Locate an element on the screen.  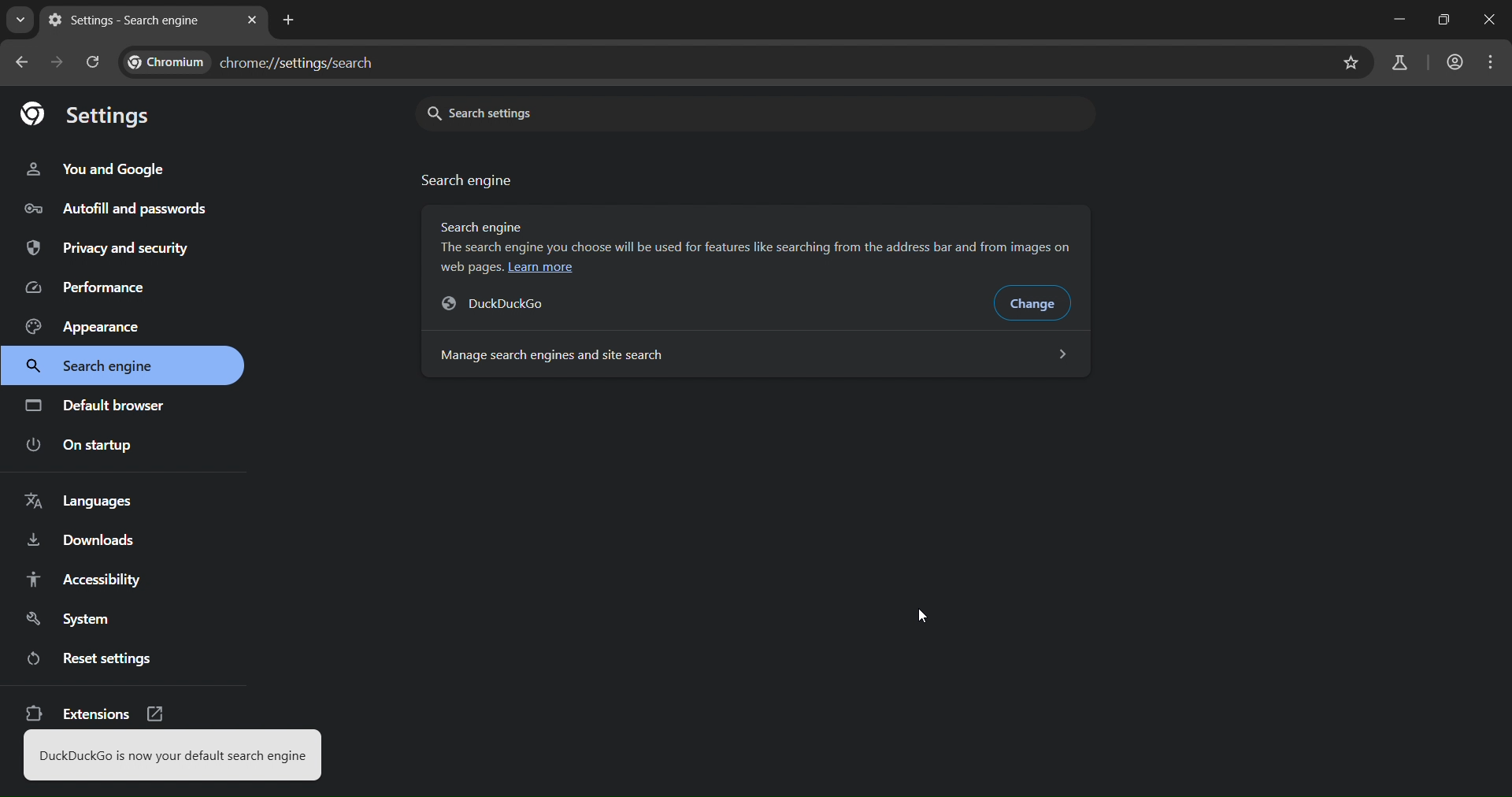
reload page is located at coordinates (94, 63).